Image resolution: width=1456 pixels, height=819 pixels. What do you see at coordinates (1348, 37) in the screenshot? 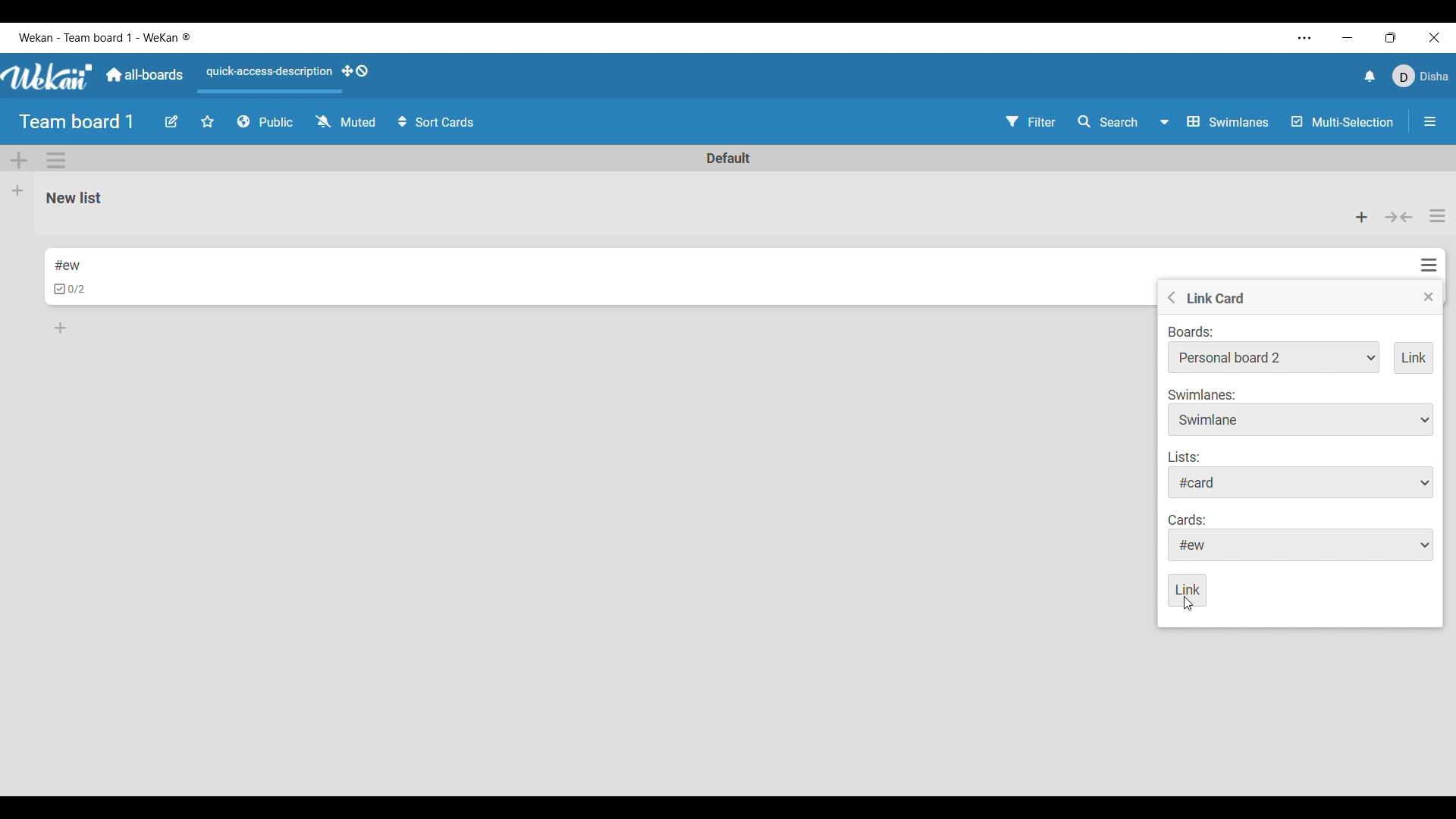
I see `Minimize` at bounding box center [1348, 37].